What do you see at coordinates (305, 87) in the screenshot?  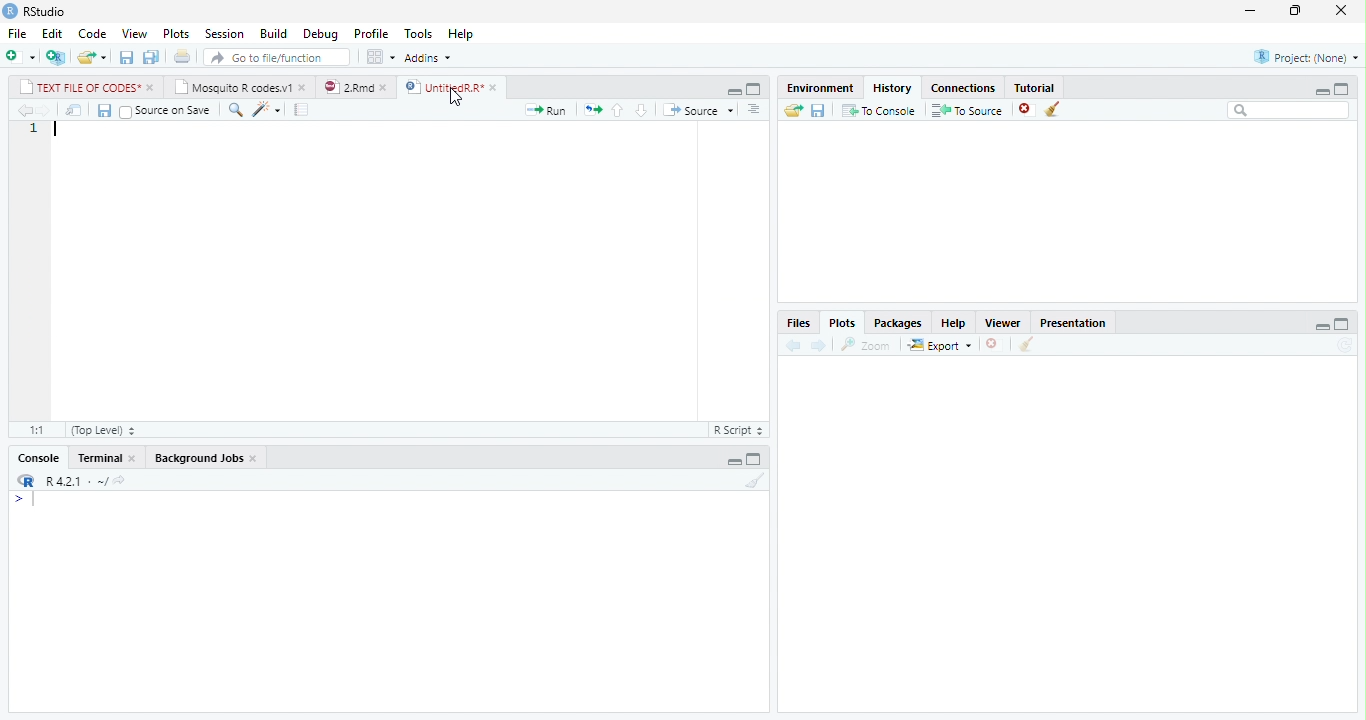 I see `close` at bounding box center [305, 87].